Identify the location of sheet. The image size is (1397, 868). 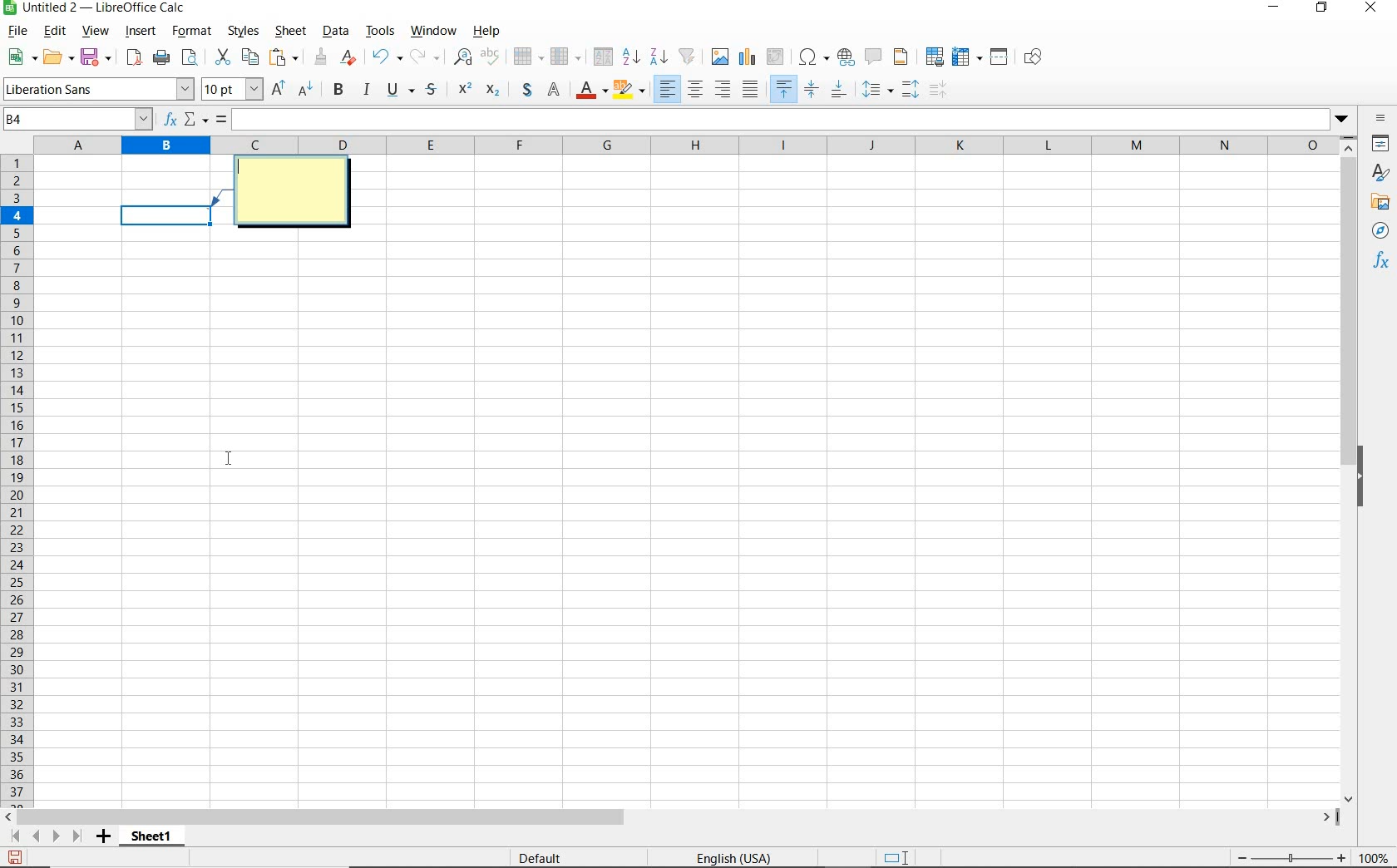
(293, 32).